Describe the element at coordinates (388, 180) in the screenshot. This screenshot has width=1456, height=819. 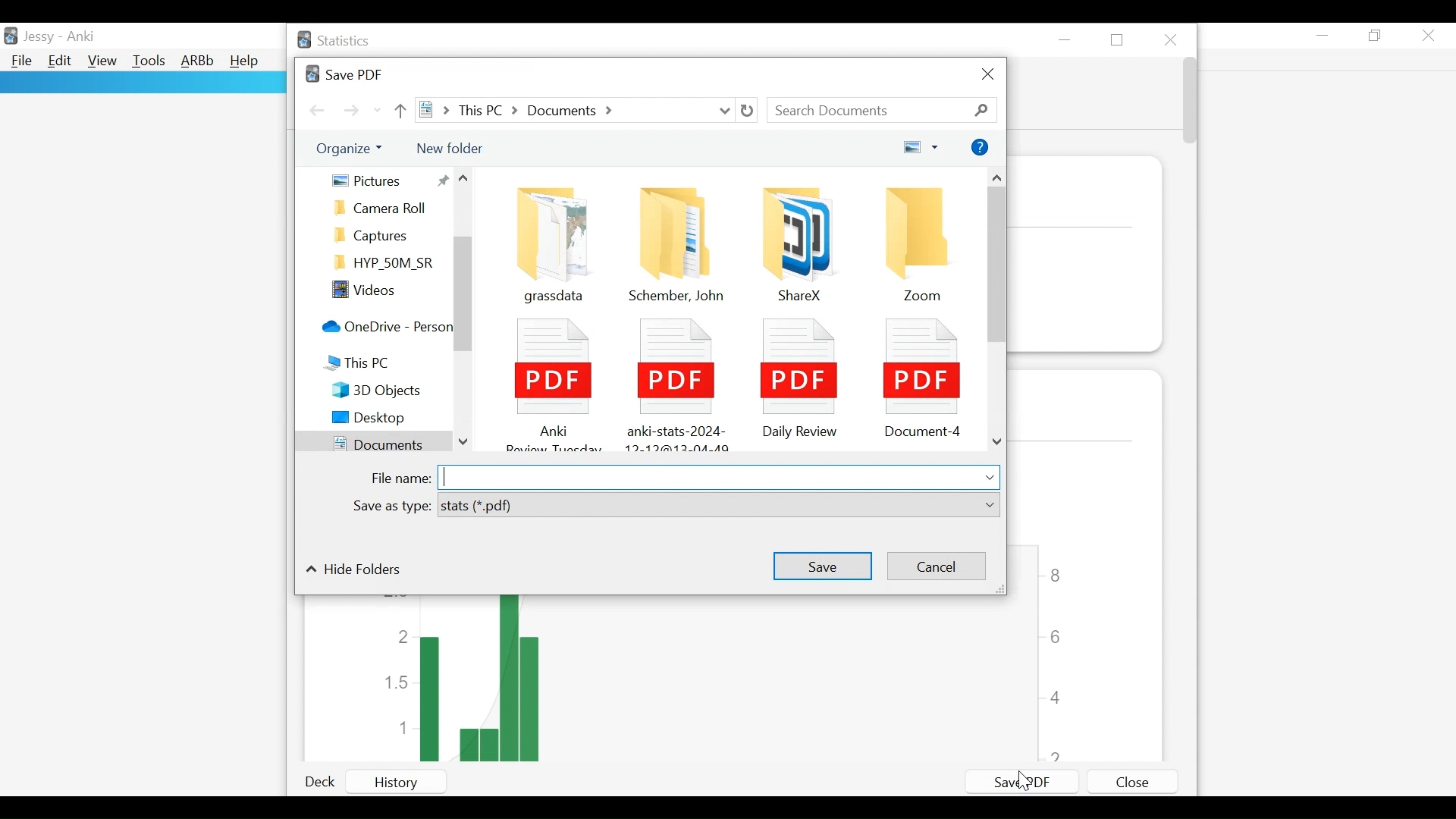
I see `Picturees` at that location.